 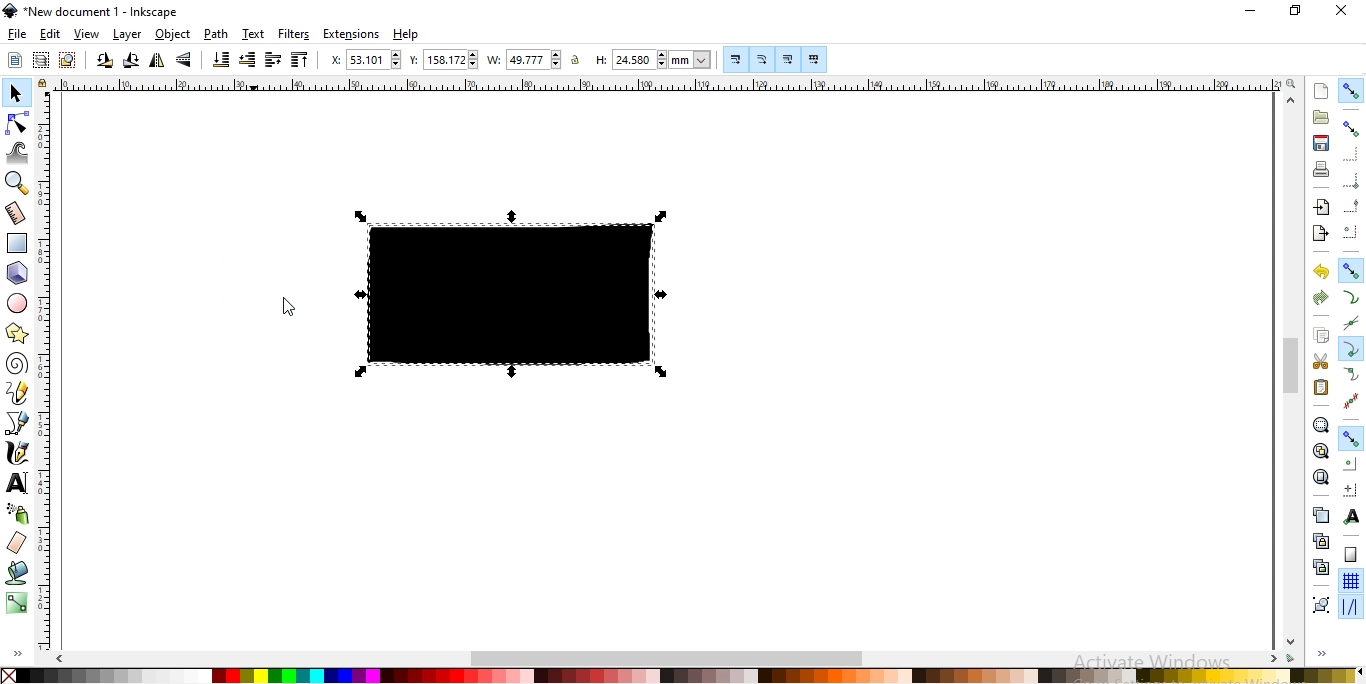 What do you see at coordinates (1294, 12) in the screenshot?
I see `restore down` at bounding box center [1294, 12].